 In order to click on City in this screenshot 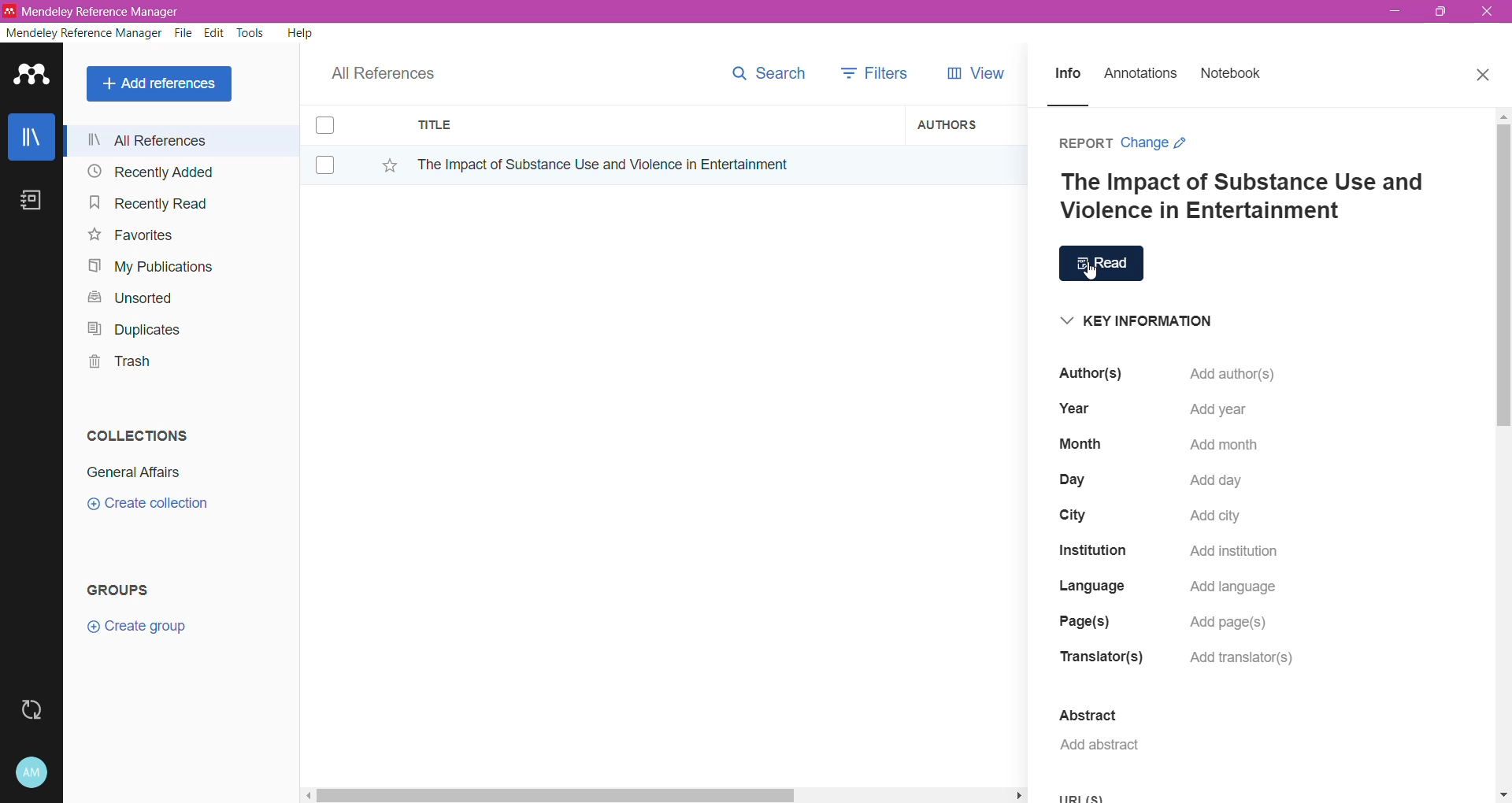, I will do `click(1073, 514)`.